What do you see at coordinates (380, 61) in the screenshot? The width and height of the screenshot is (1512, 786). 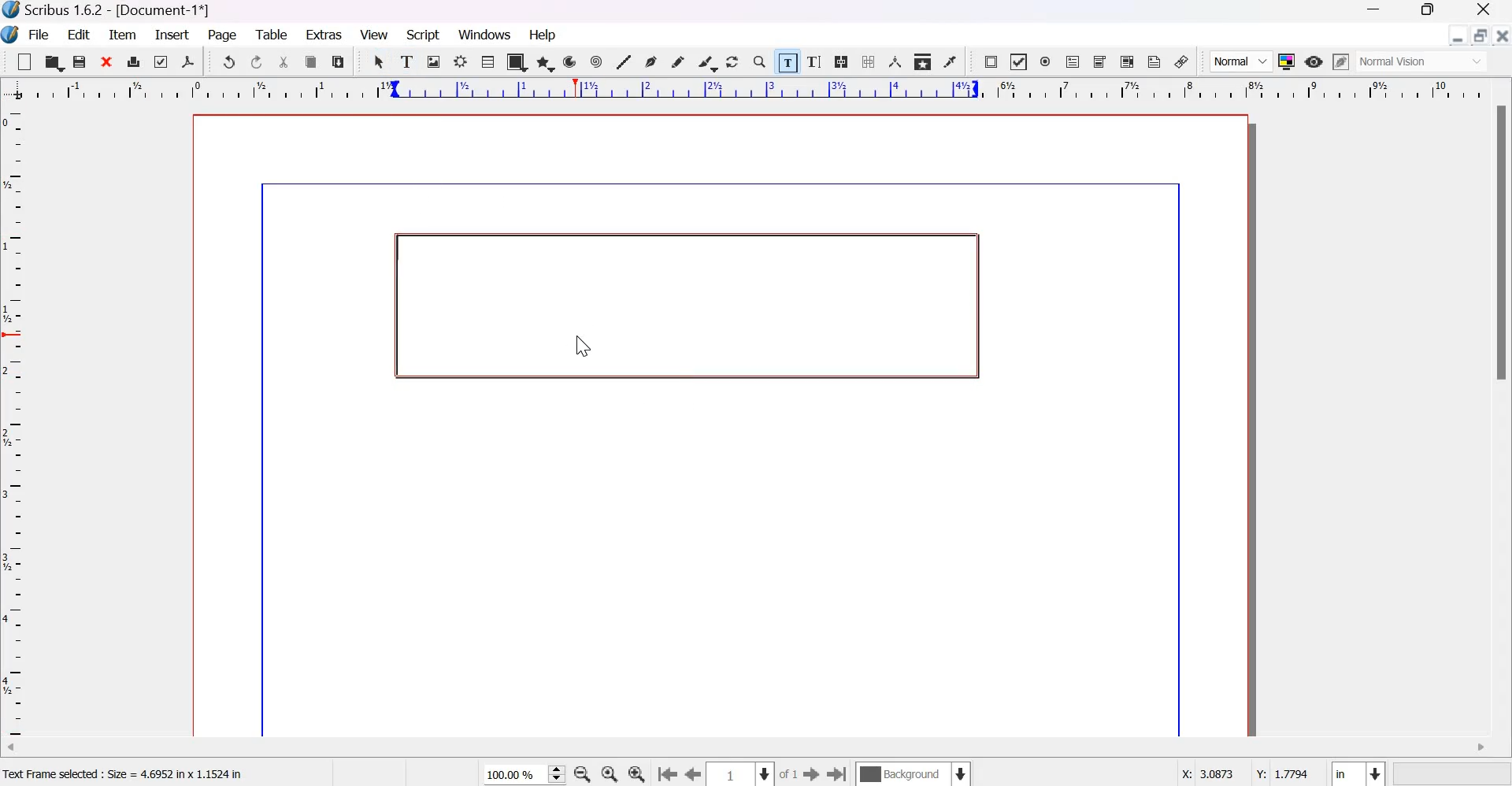 I see `select item` at bounding box center [380, 61].